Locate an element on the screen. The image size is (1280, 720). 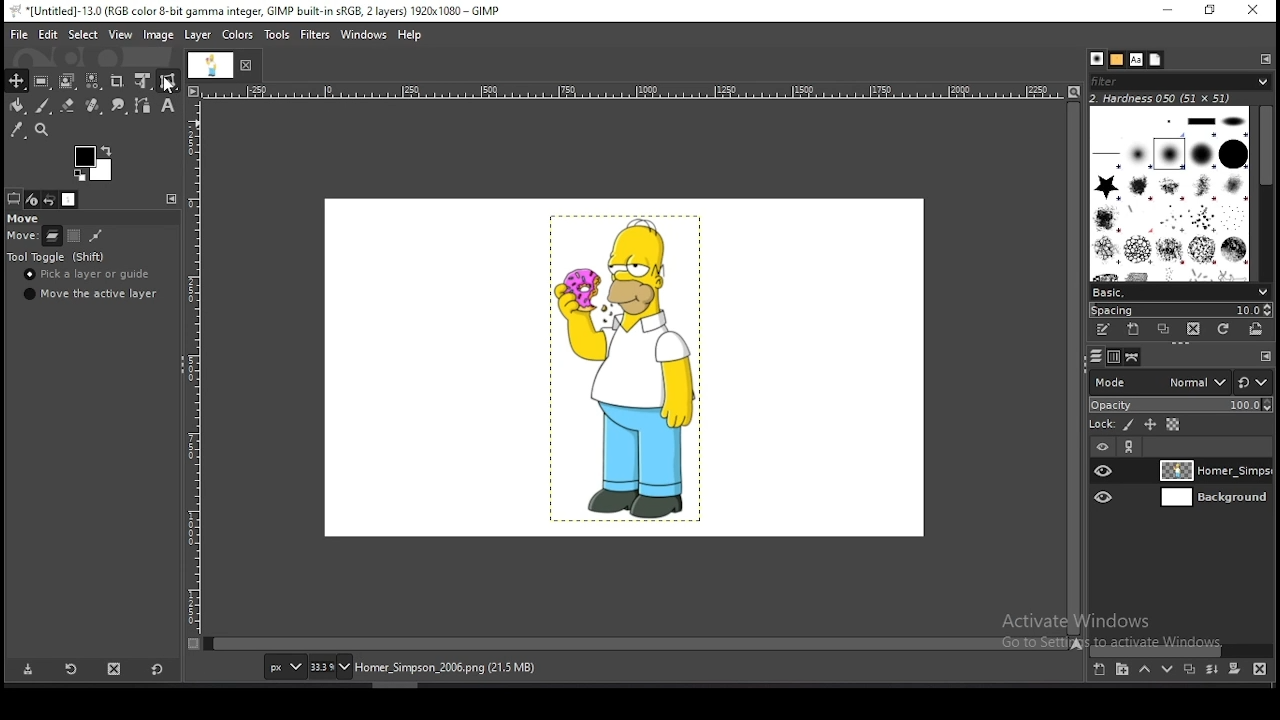
move is located at coordinates (20, 234).